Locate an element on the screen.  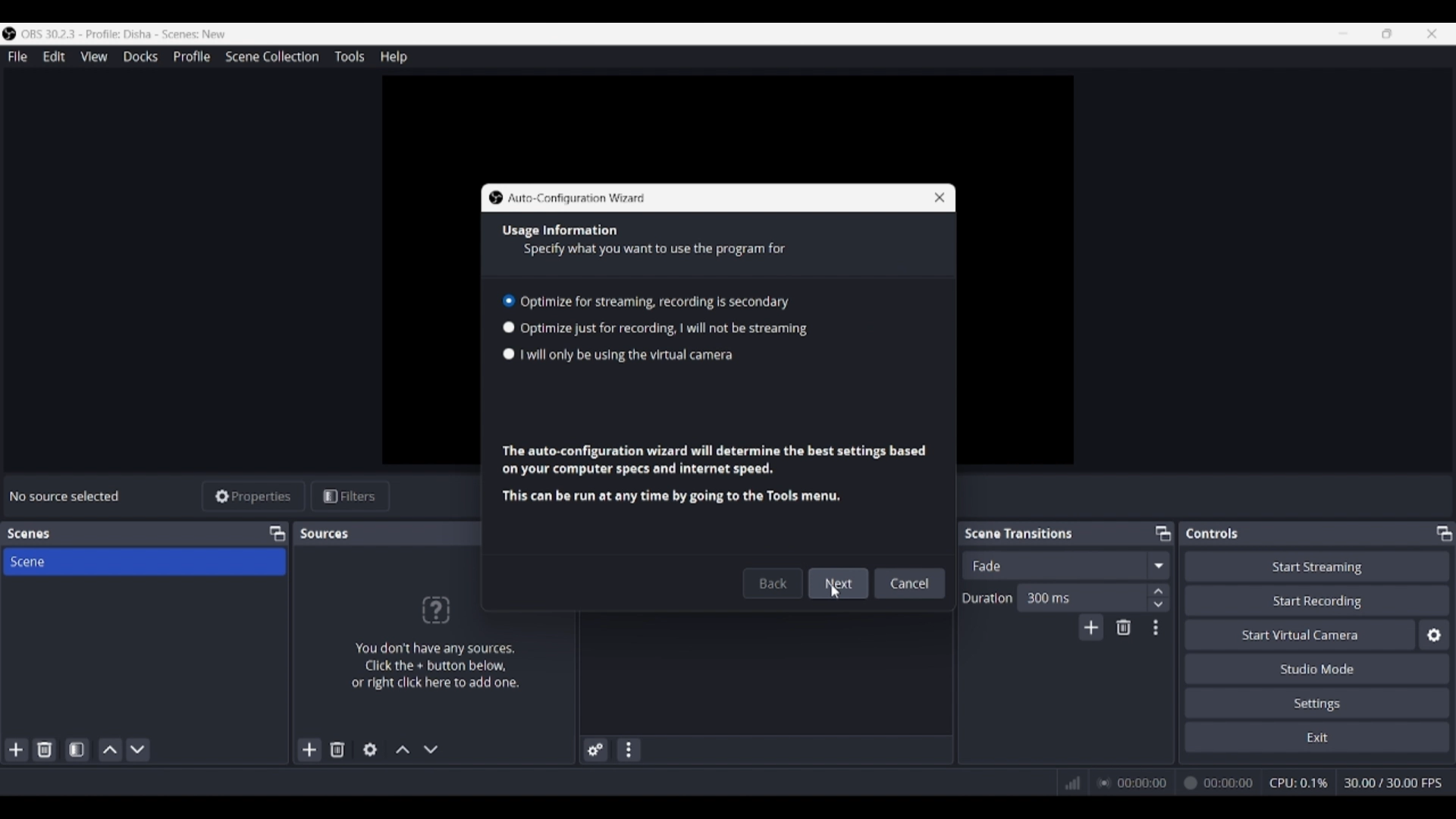
Properties is located at coordinates (254, 497).